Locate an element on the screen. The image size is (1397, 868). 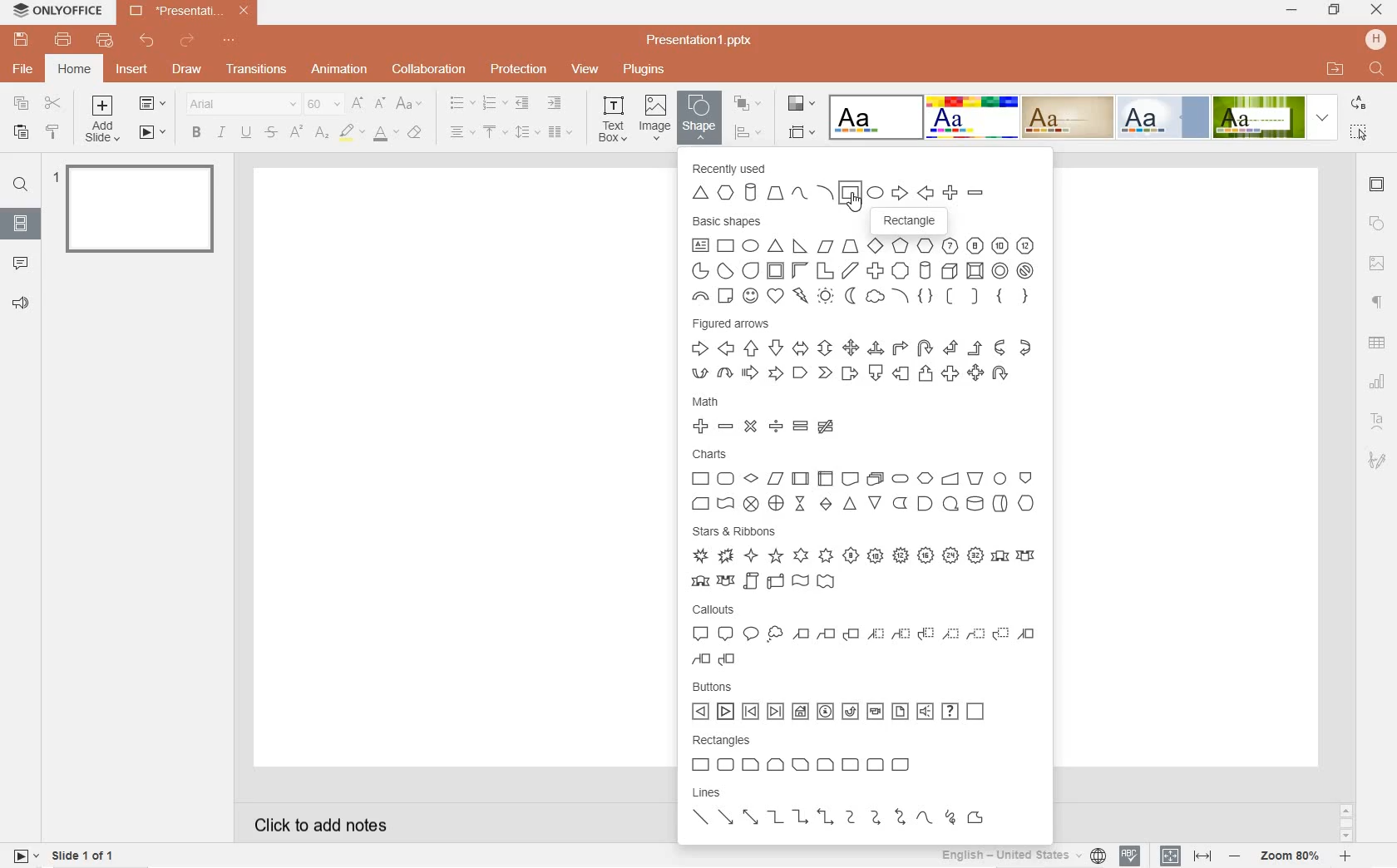
Direct access storage is located at coordinates (1000, 505).